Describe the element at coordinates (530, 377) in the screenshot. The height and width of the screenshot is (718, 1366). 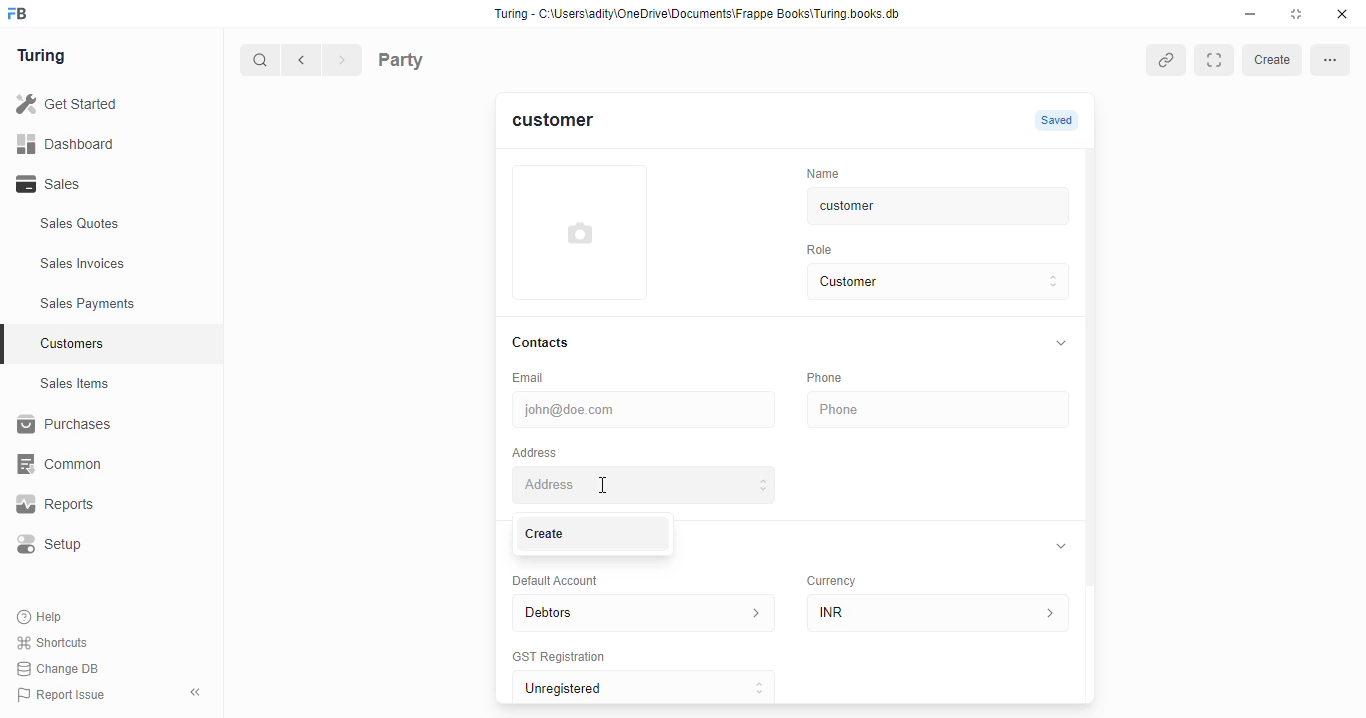
I see `Email` at that location.